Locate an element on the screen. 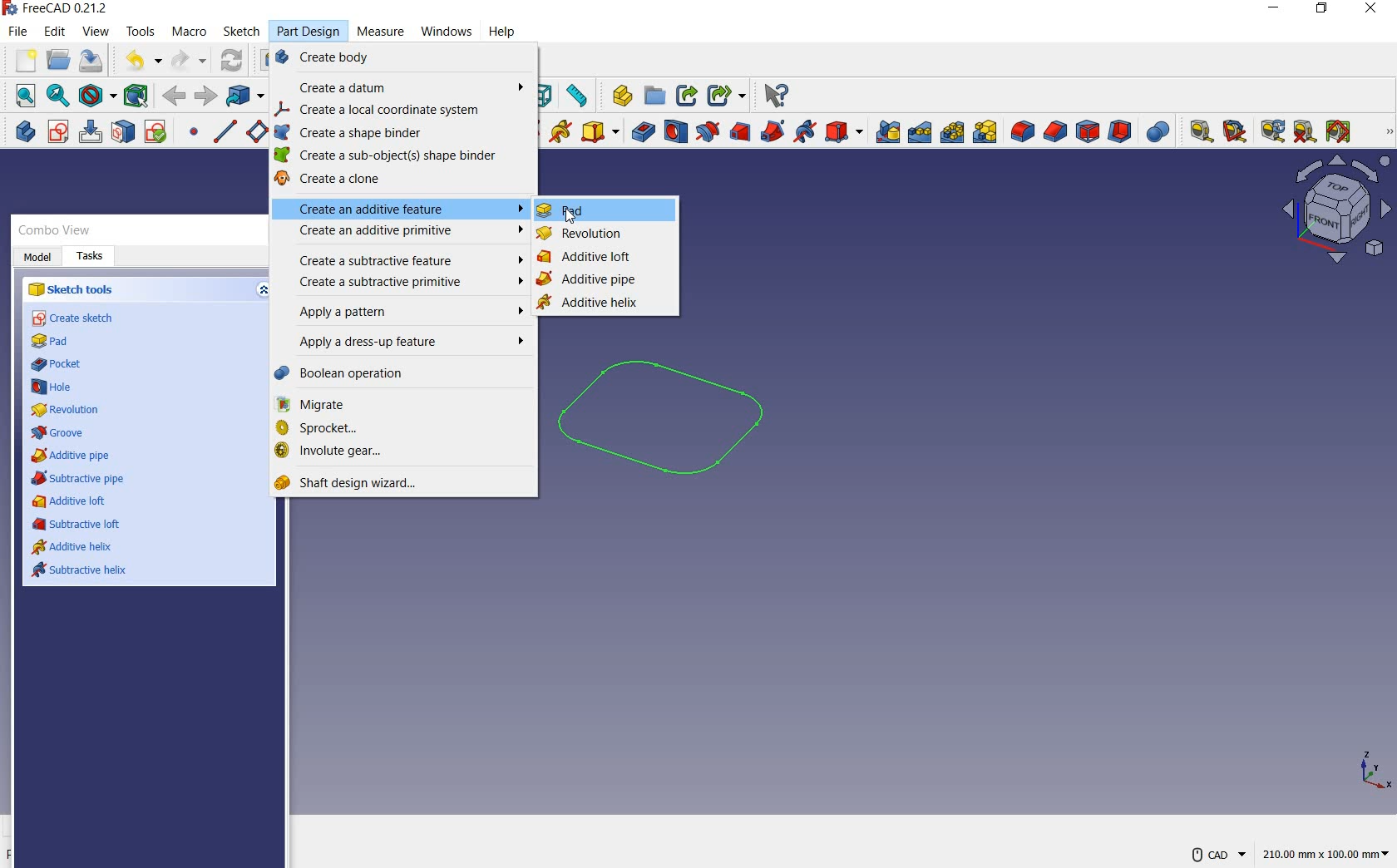  create a shape binder is located at coordinates (397, 134).